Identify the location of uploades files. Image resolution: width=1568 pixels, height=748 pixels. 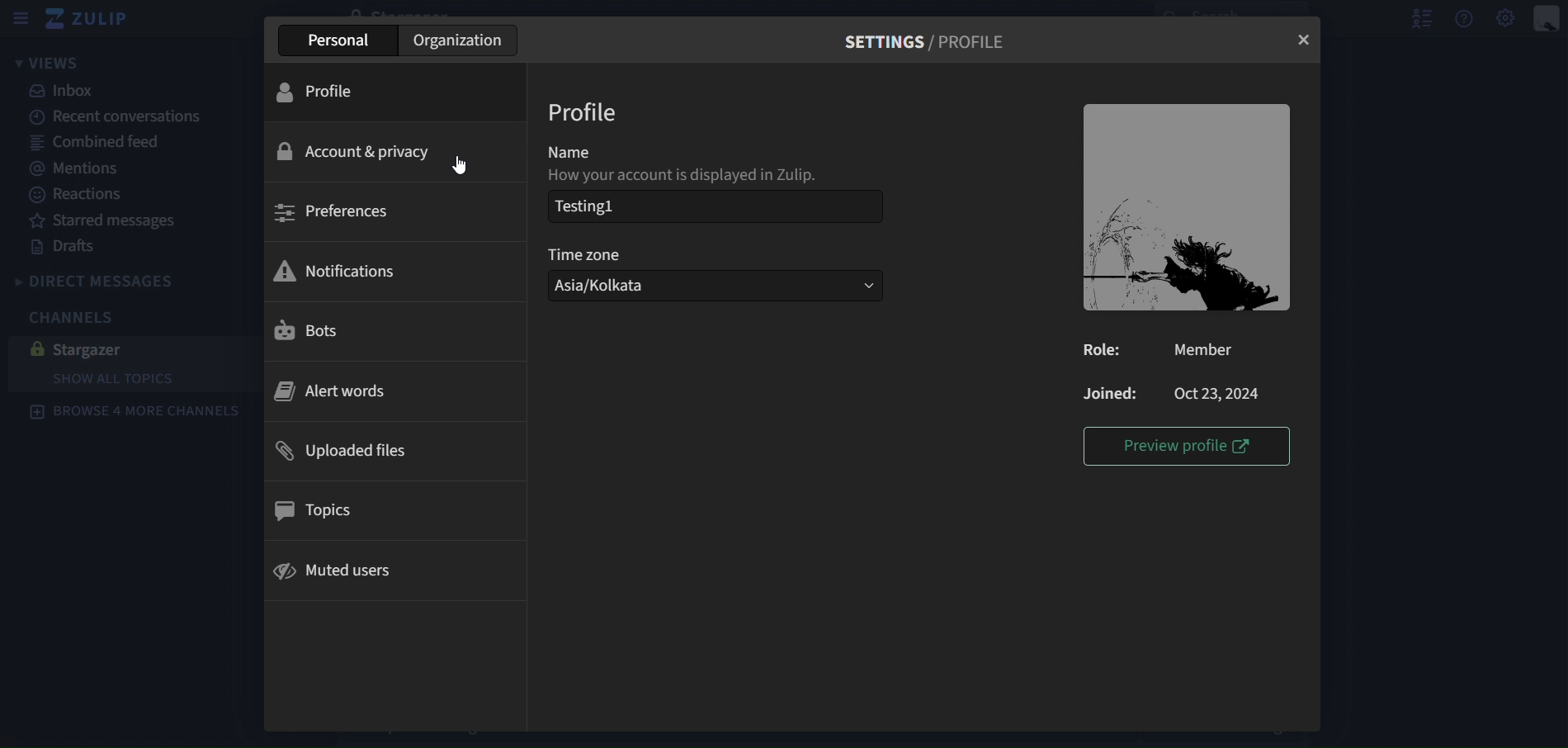
(346, 450).